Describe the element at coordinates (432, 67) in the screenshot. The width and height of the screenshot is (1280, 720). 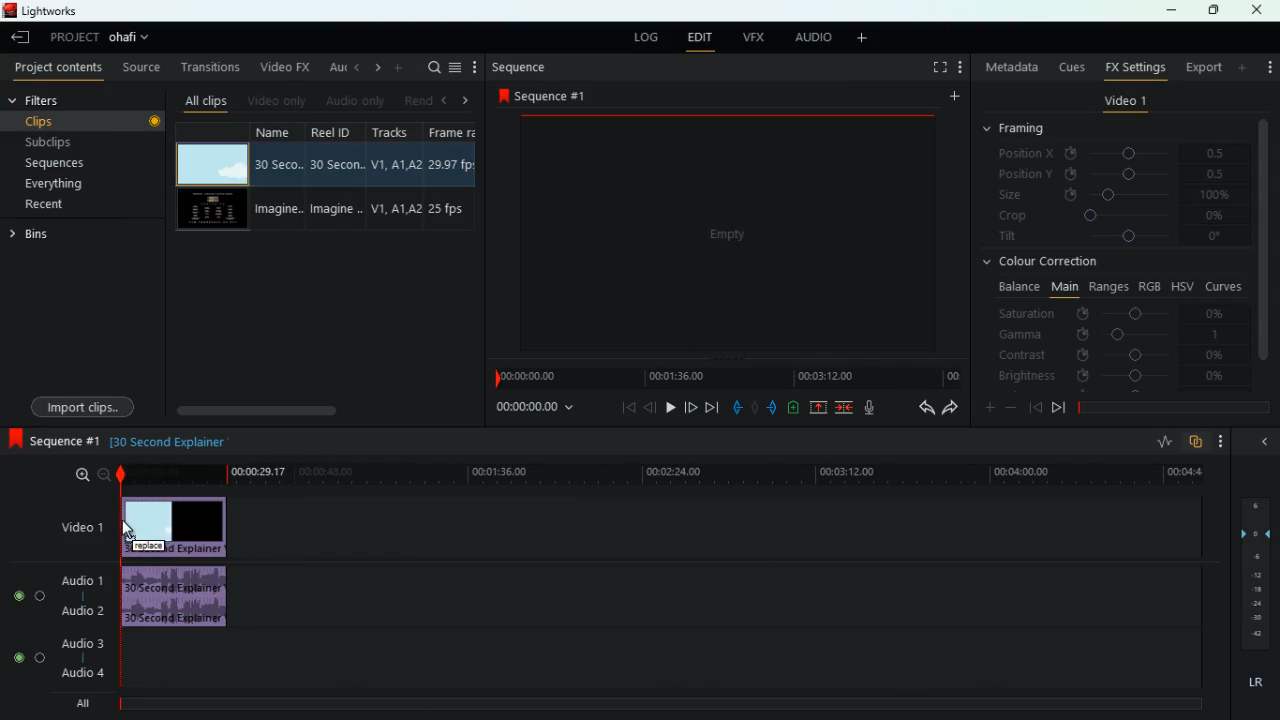
I see `search` at that location.